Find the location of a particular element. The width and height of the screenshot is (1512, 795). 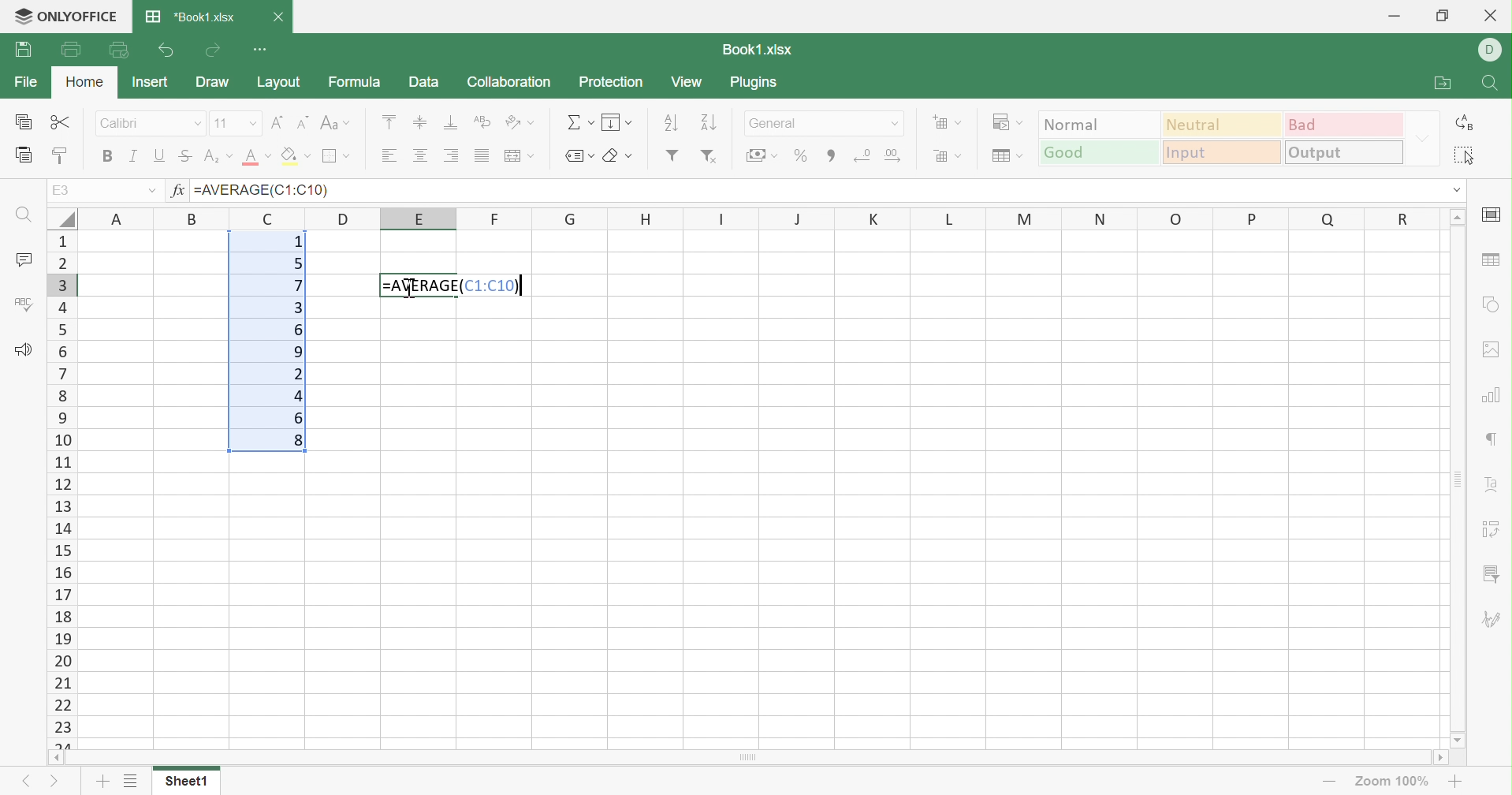

Insert is located at coordinates (148, 82).